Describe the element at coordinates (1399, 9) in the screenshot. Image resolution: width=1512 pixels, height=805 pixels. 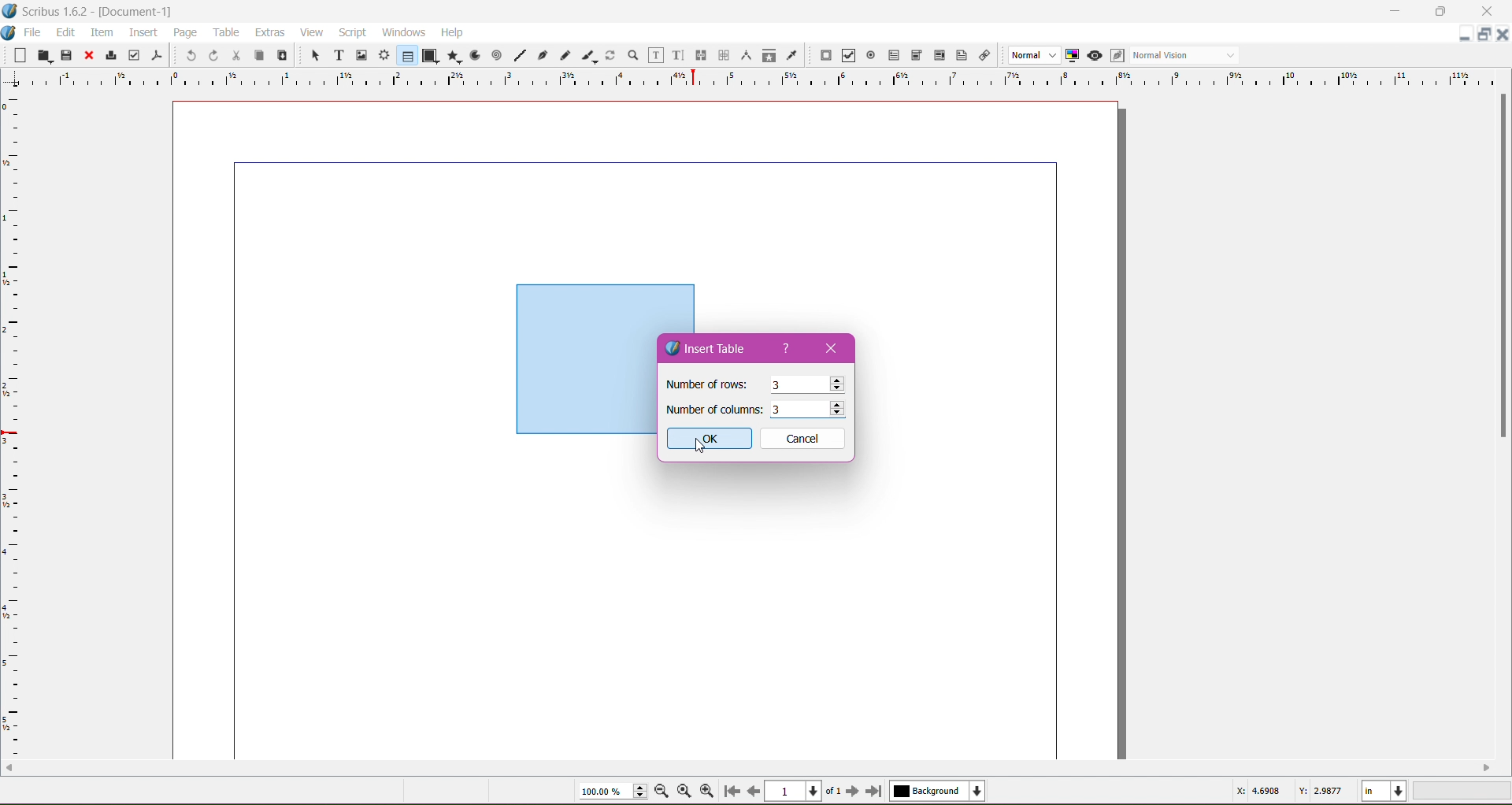
I see `Minimize` at that location.